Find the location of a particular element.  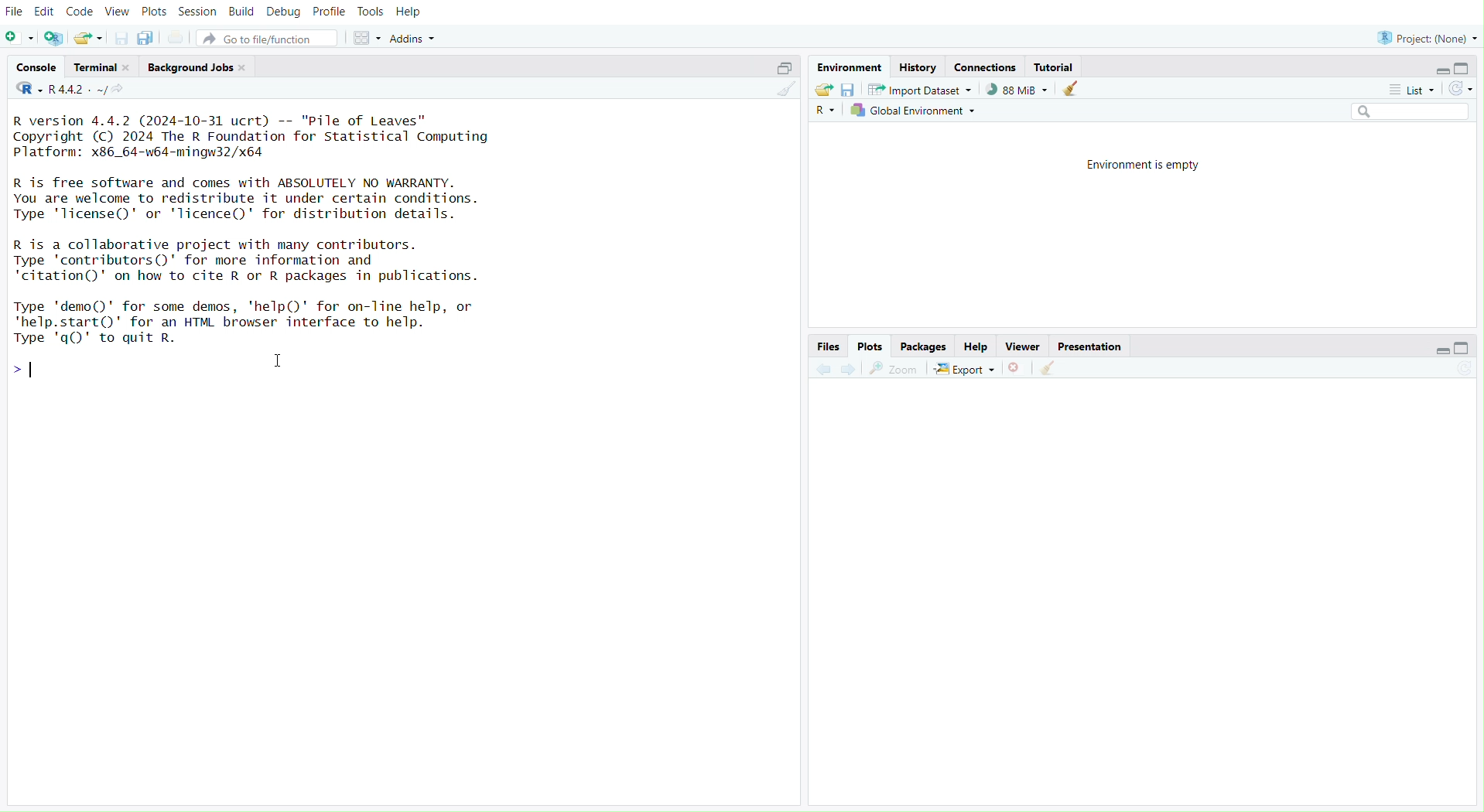

Zoom is located at coordinates (893, 368).